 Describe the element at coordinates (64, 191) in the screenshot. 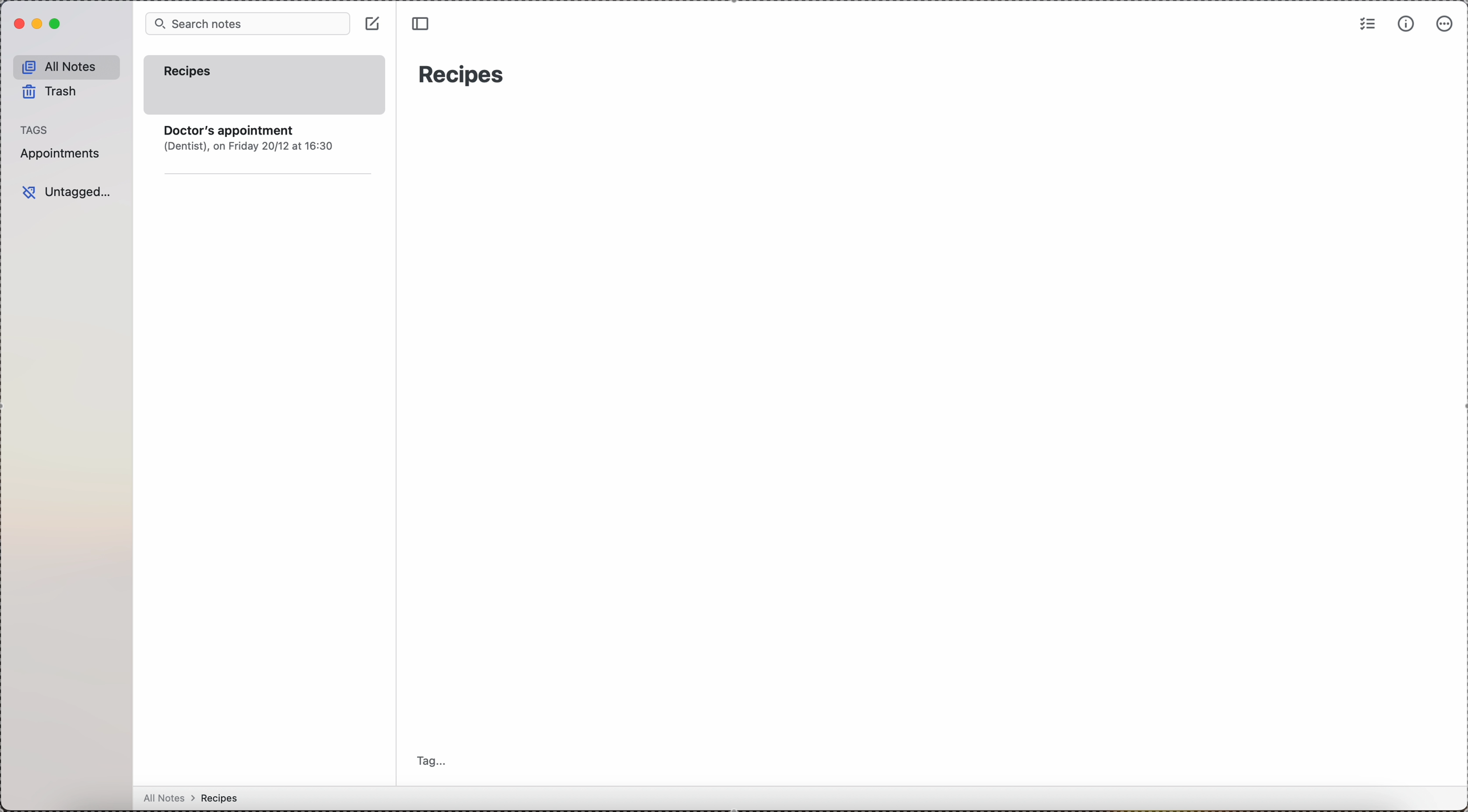

I see `untagged` at that location.